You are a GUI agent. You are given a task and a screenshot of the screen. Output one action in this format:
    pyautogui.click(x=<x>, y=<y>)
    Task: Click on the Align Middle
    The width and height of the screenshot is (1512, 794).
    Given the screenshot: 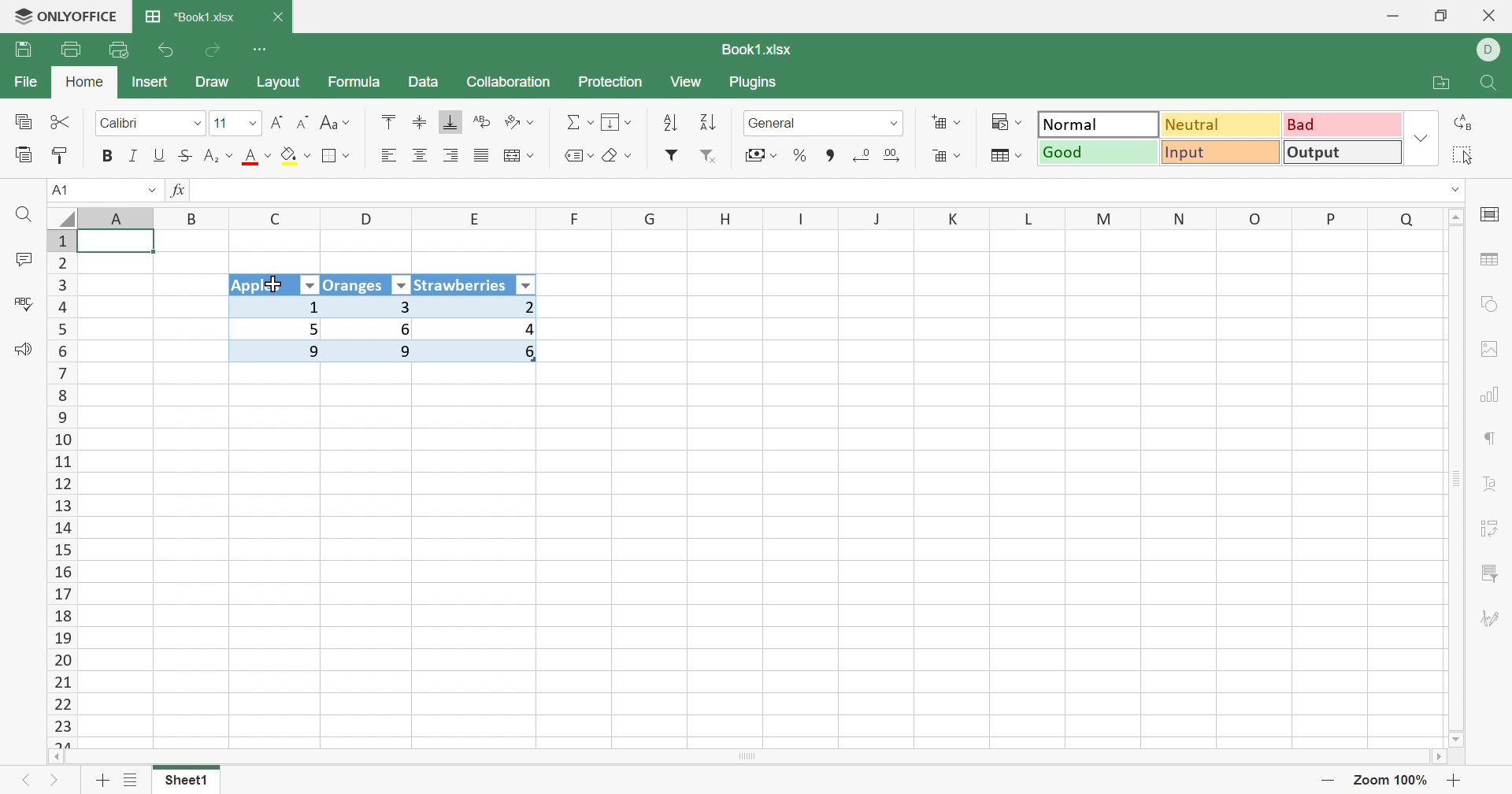 What is the action you would take?
    pyautogui.click(x=420, y=123)
    